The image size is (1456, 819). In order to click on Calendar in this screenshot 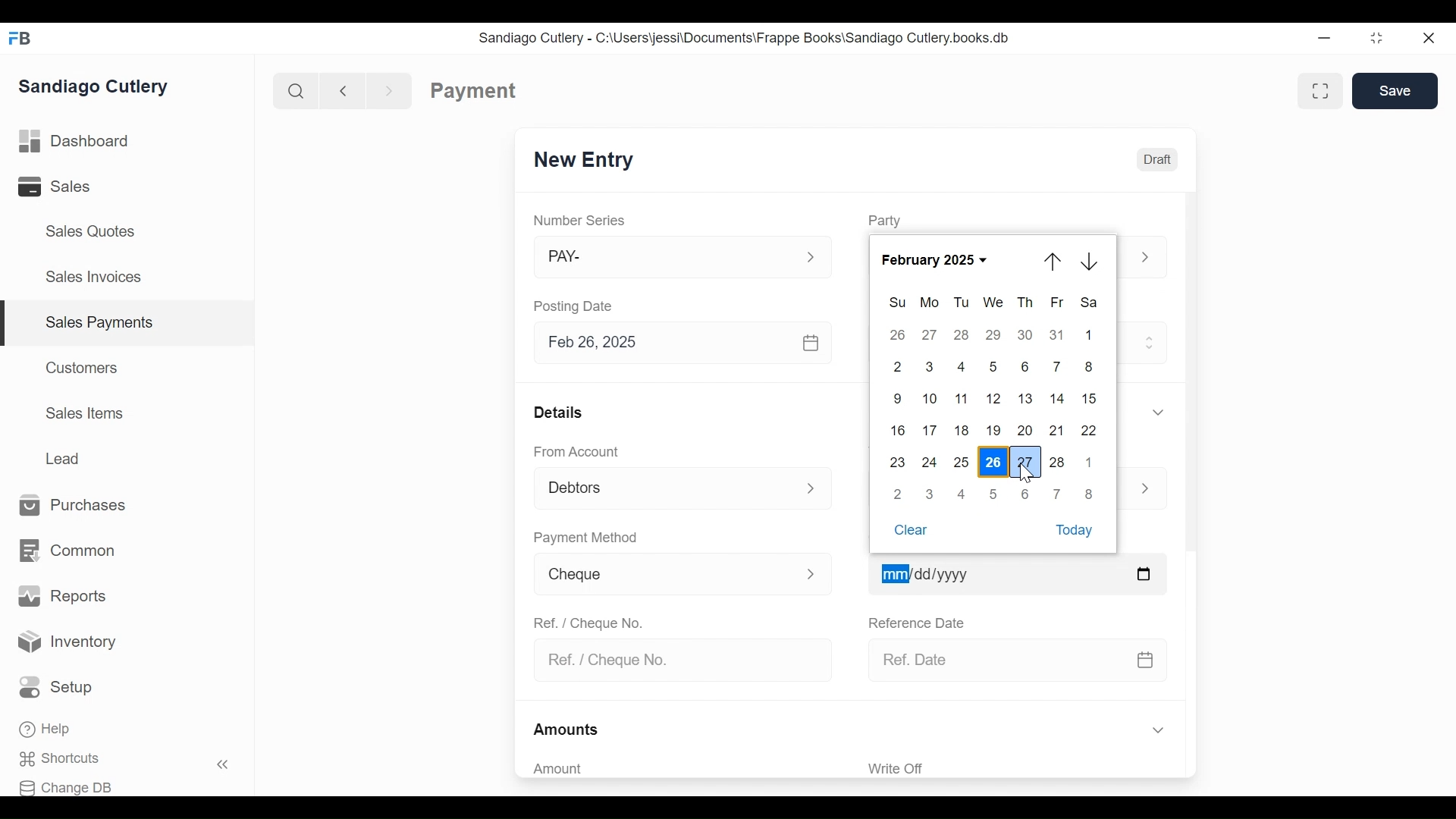, I will do `click(1146, 661)`.